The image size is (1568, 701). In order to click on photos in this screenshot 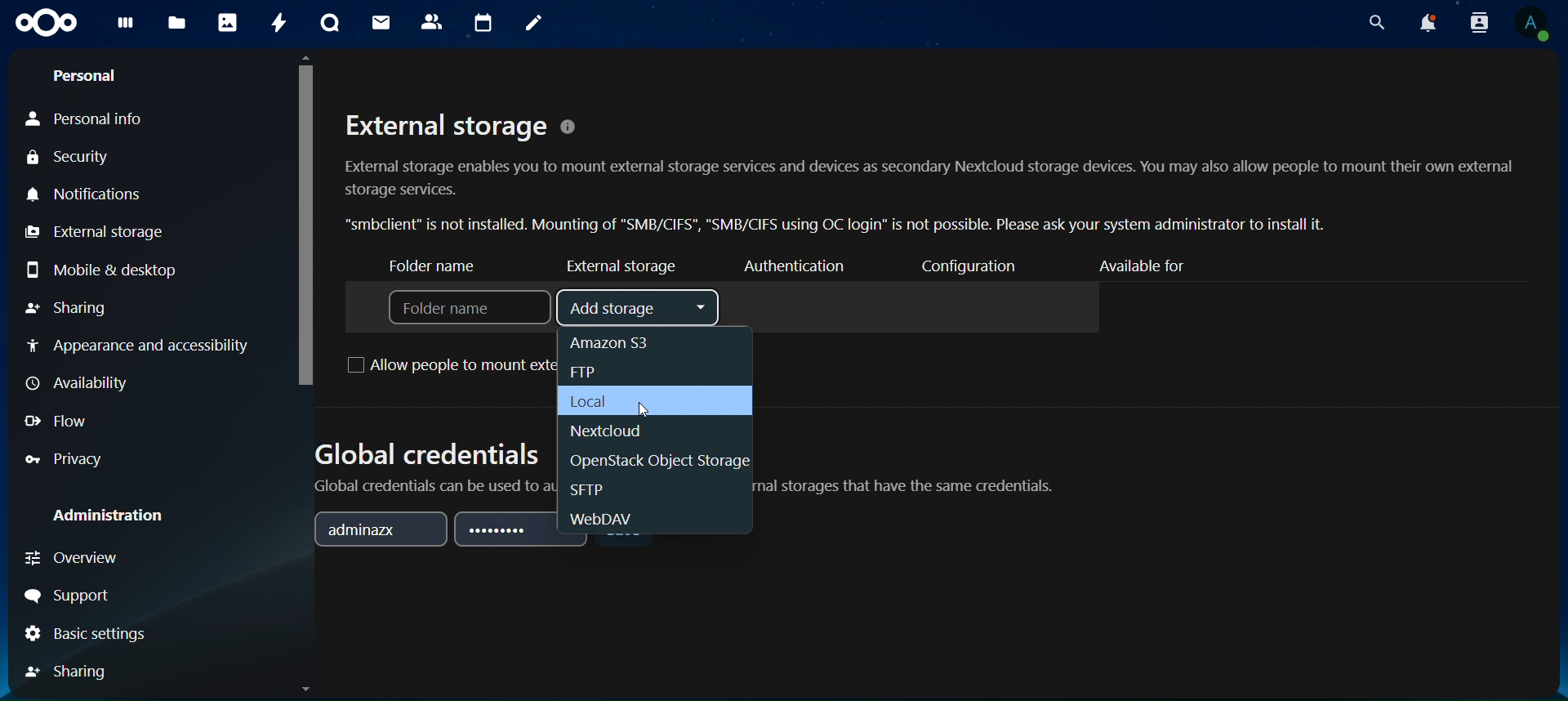, I will do `click(229, 23)`.